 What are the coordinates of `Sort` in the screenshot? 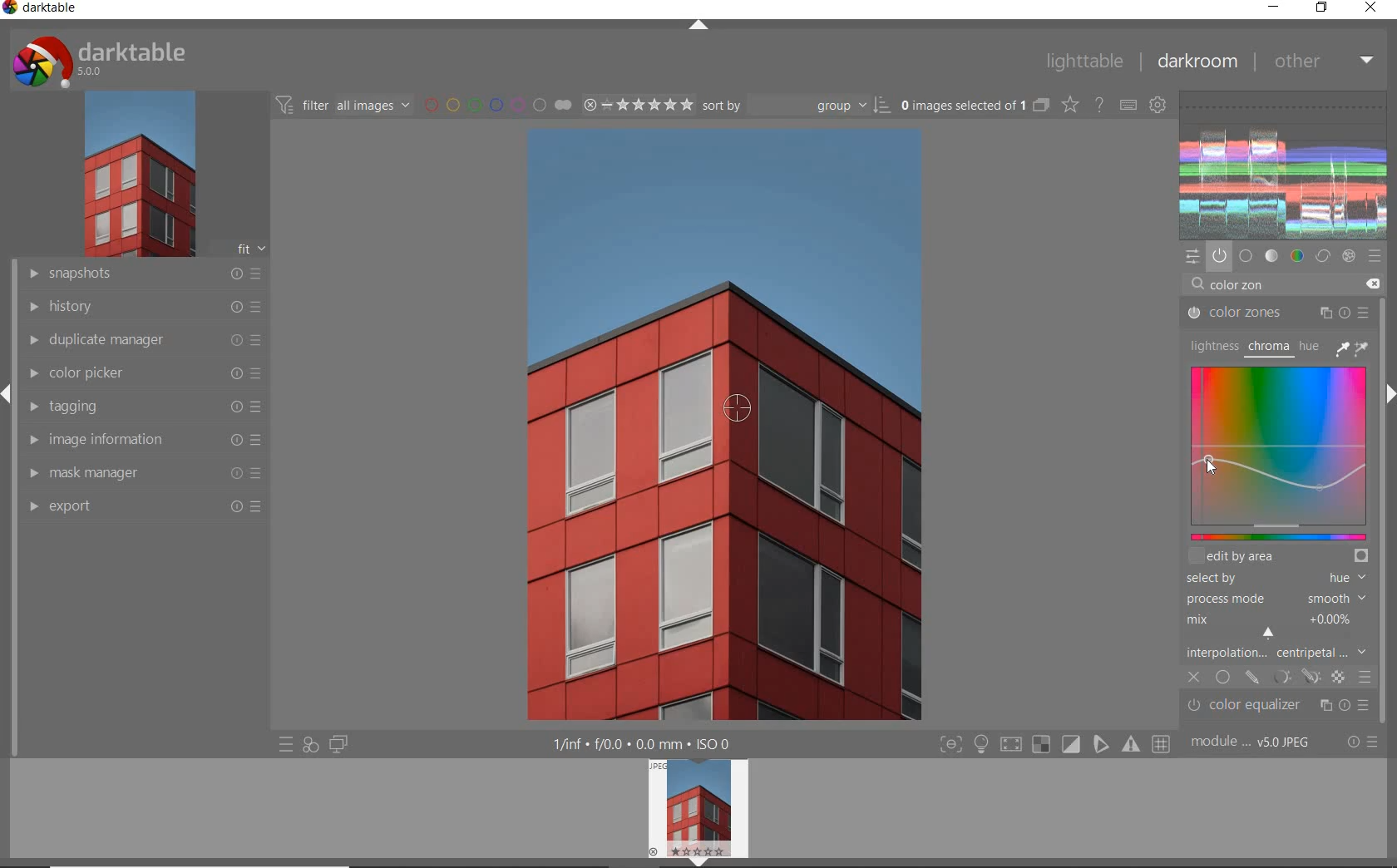 It's located at (797, 106).